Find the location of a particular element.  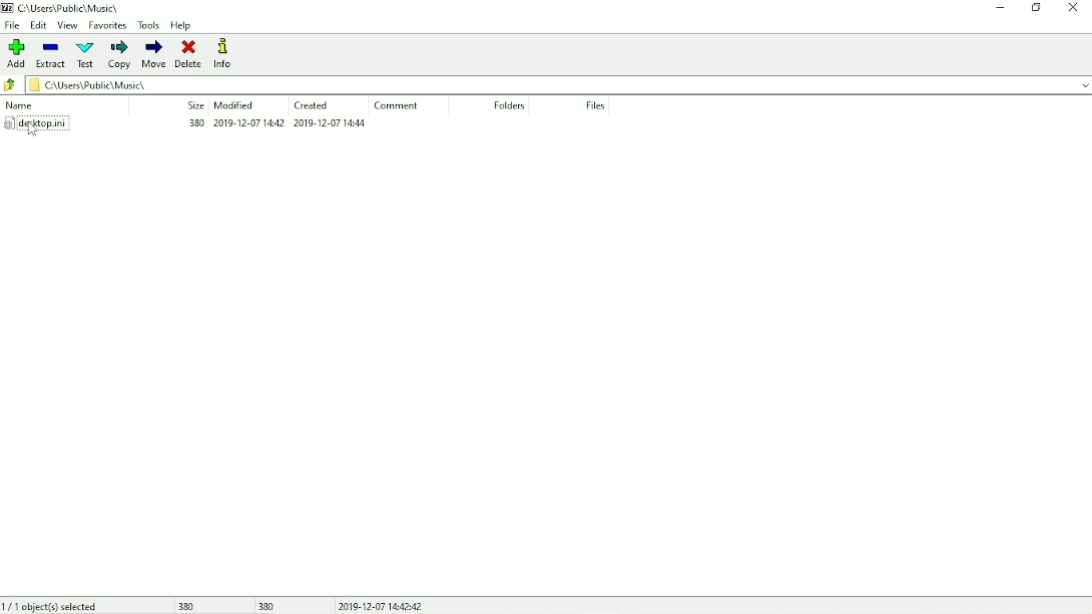

Extract is located at coordinates (50, 54).